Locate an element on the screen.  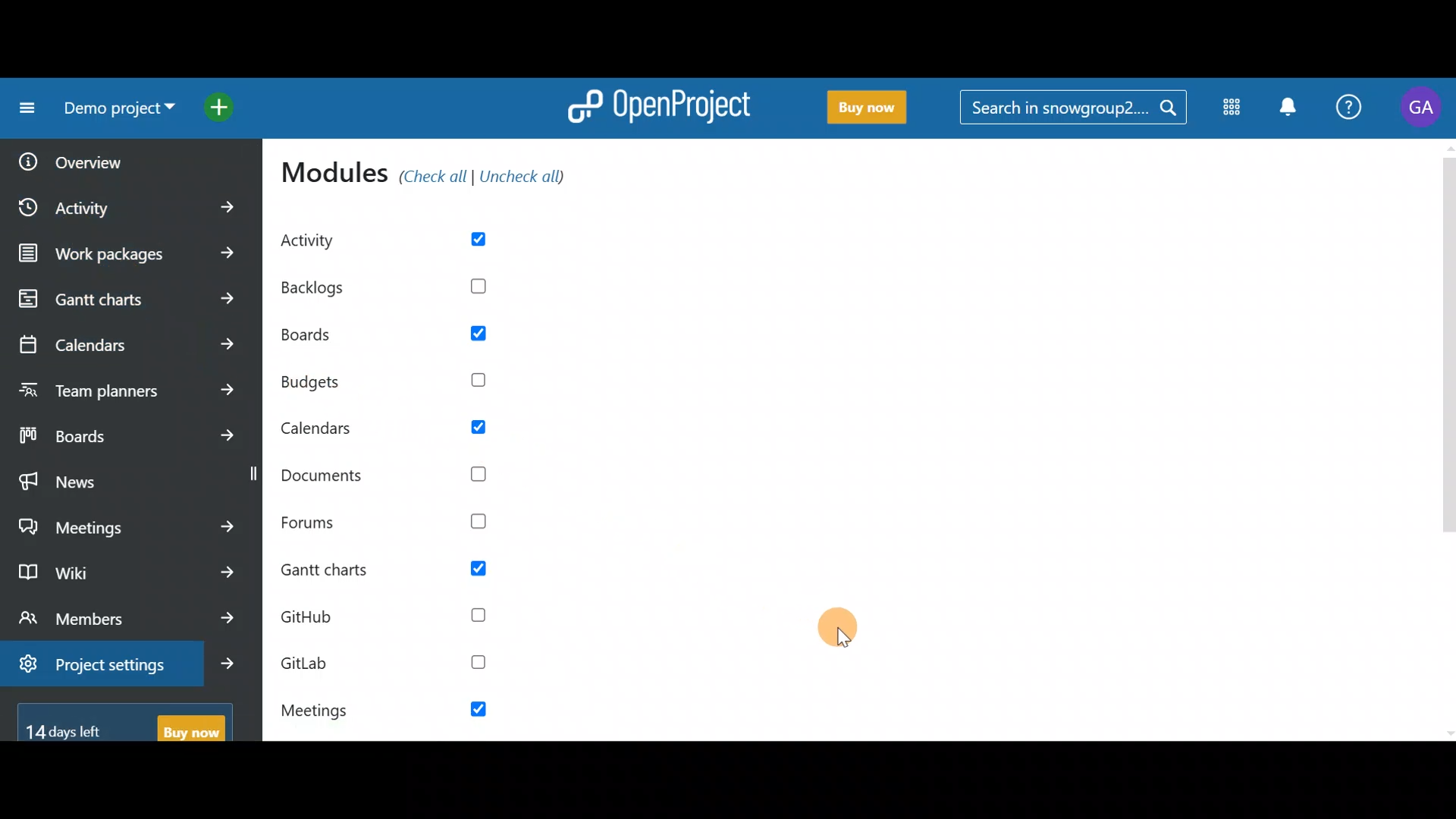
Budgets is located at coordinates (390, 384).